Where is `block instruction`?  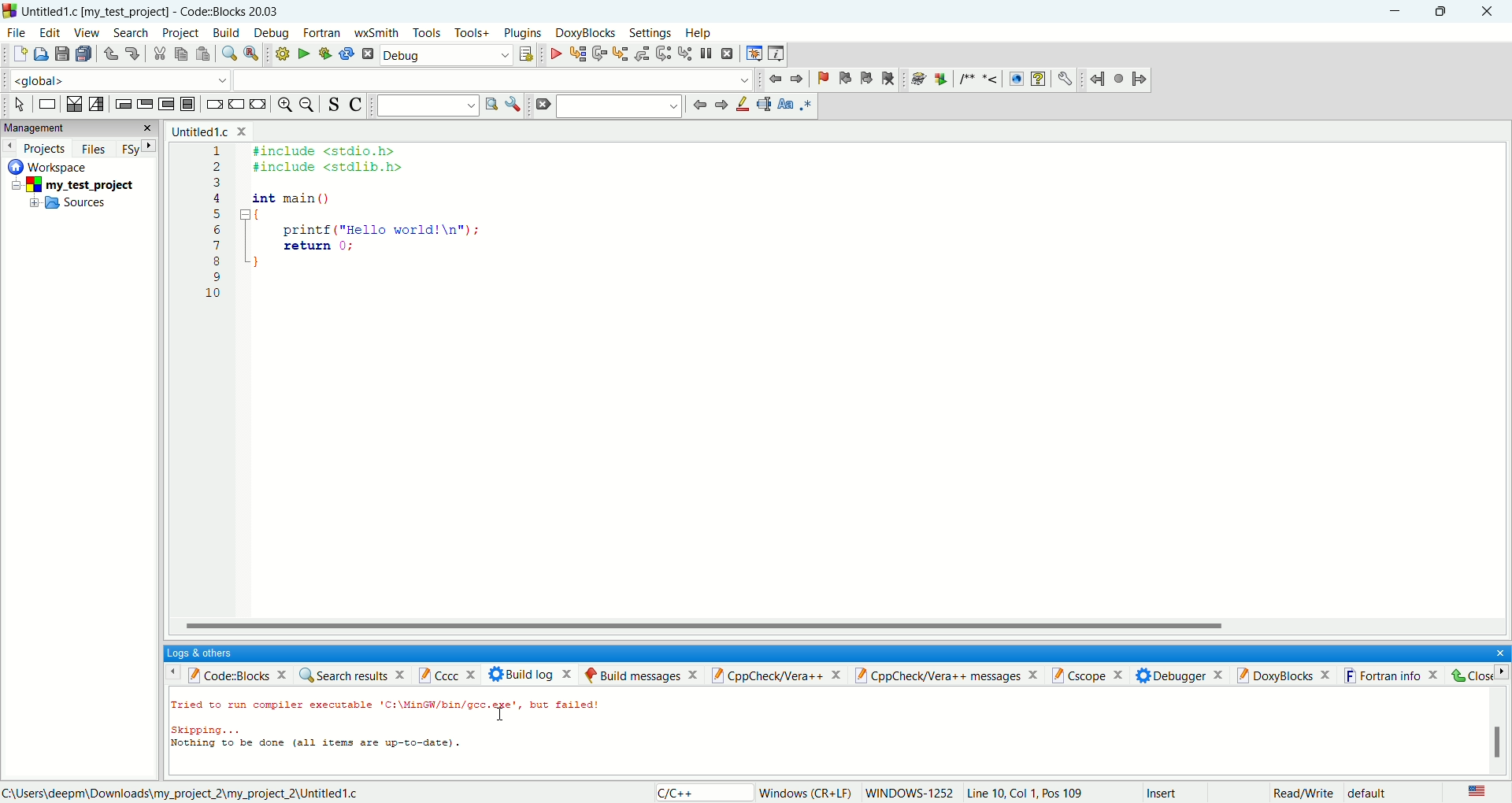
block instruction is located at coordinates (189, 104).